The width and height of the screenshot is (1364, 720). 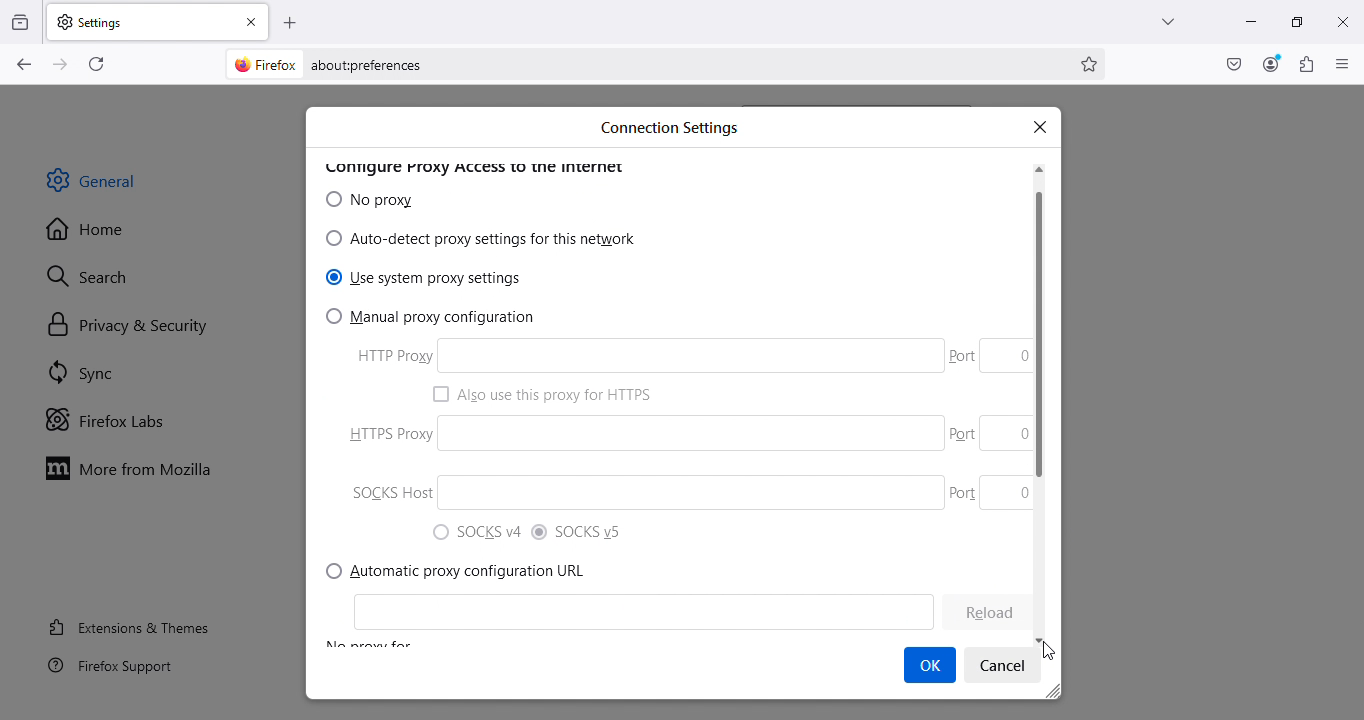 I want to click on Bookmark, so click(x=1091, y=64).